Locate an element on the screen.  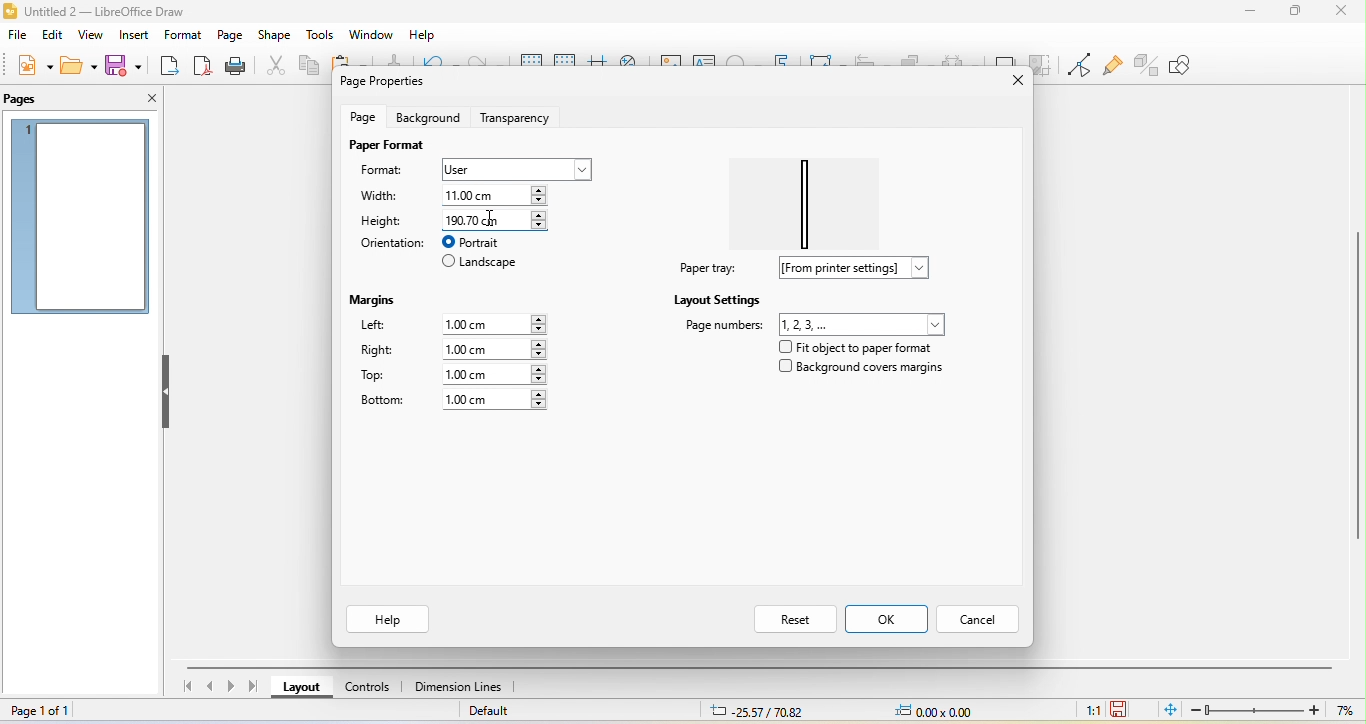
close is located at coordinates (1340, 11).